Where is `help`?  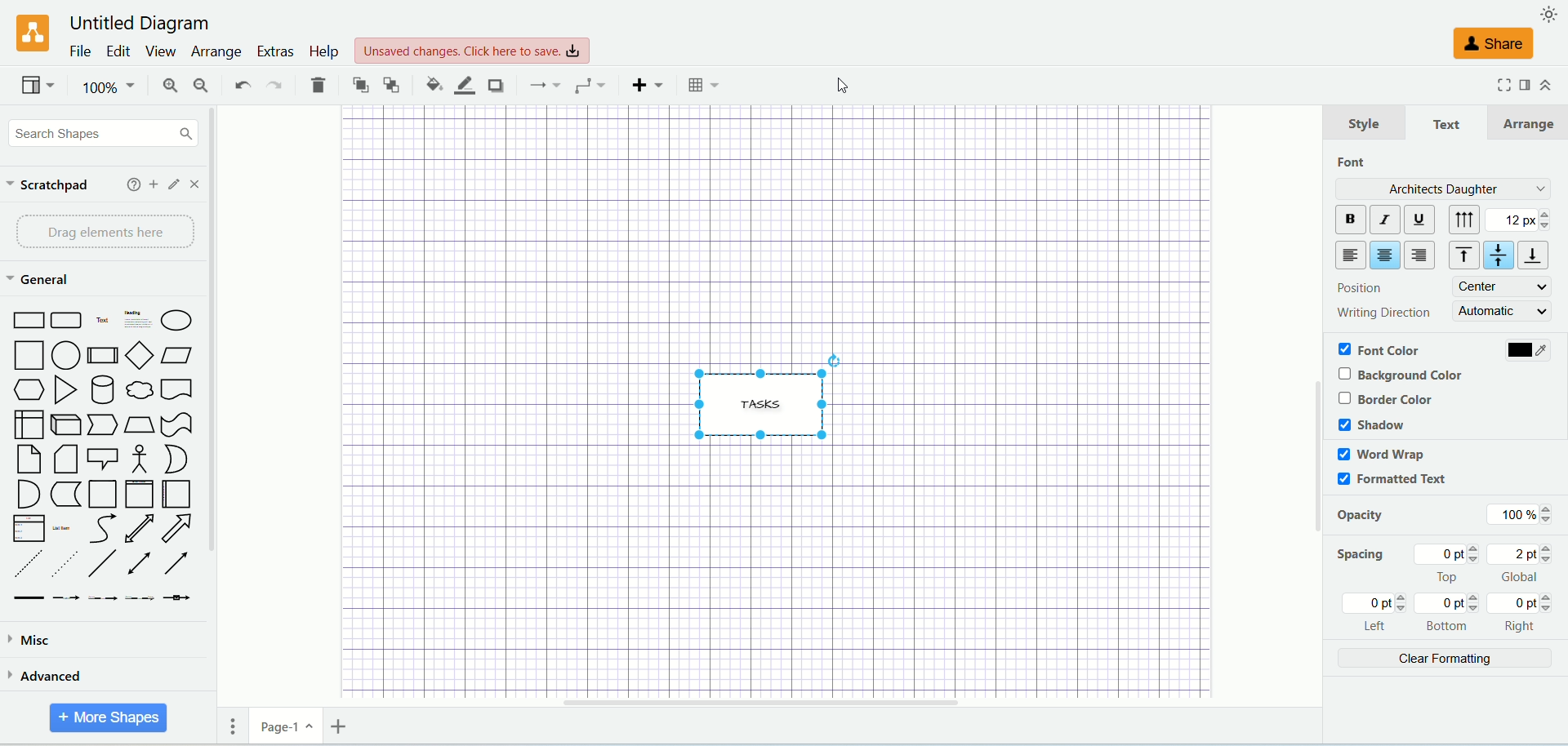 help is located at coordinates (132, 184).